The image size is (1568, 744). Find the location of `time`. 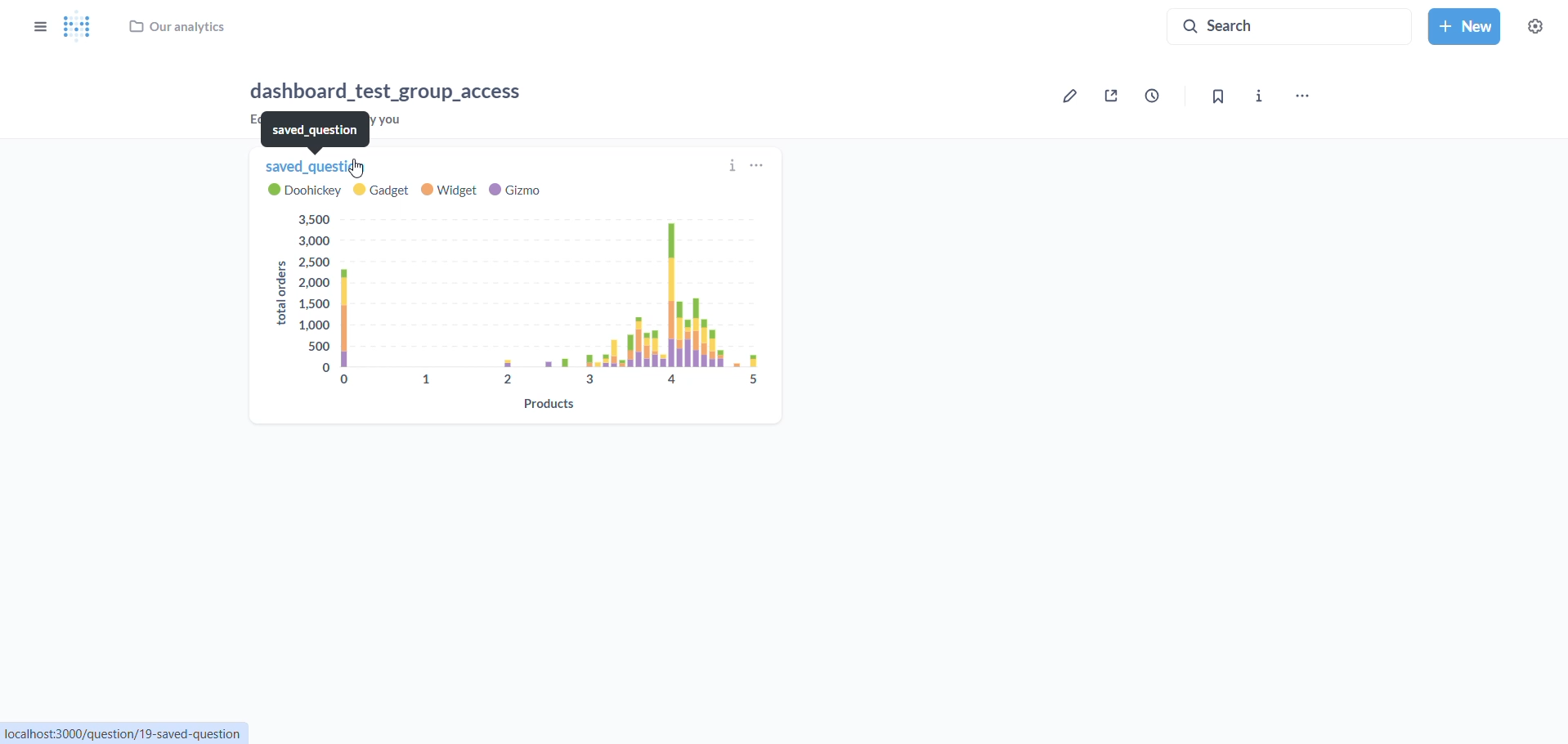

time is located at coordinates (1148, 101).